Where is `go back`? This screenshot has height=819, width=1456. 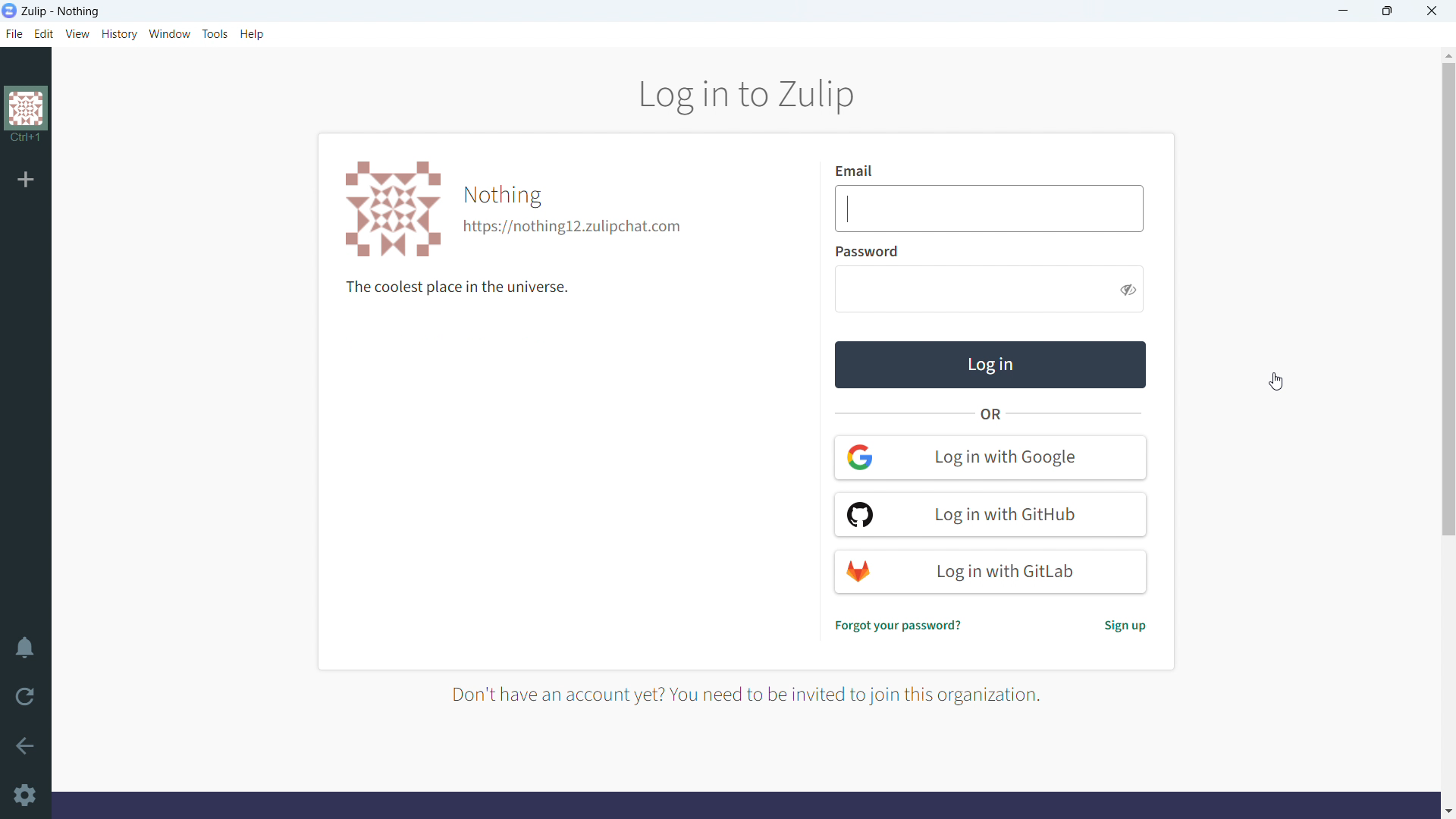
go back is located at coordinates (25, 746).